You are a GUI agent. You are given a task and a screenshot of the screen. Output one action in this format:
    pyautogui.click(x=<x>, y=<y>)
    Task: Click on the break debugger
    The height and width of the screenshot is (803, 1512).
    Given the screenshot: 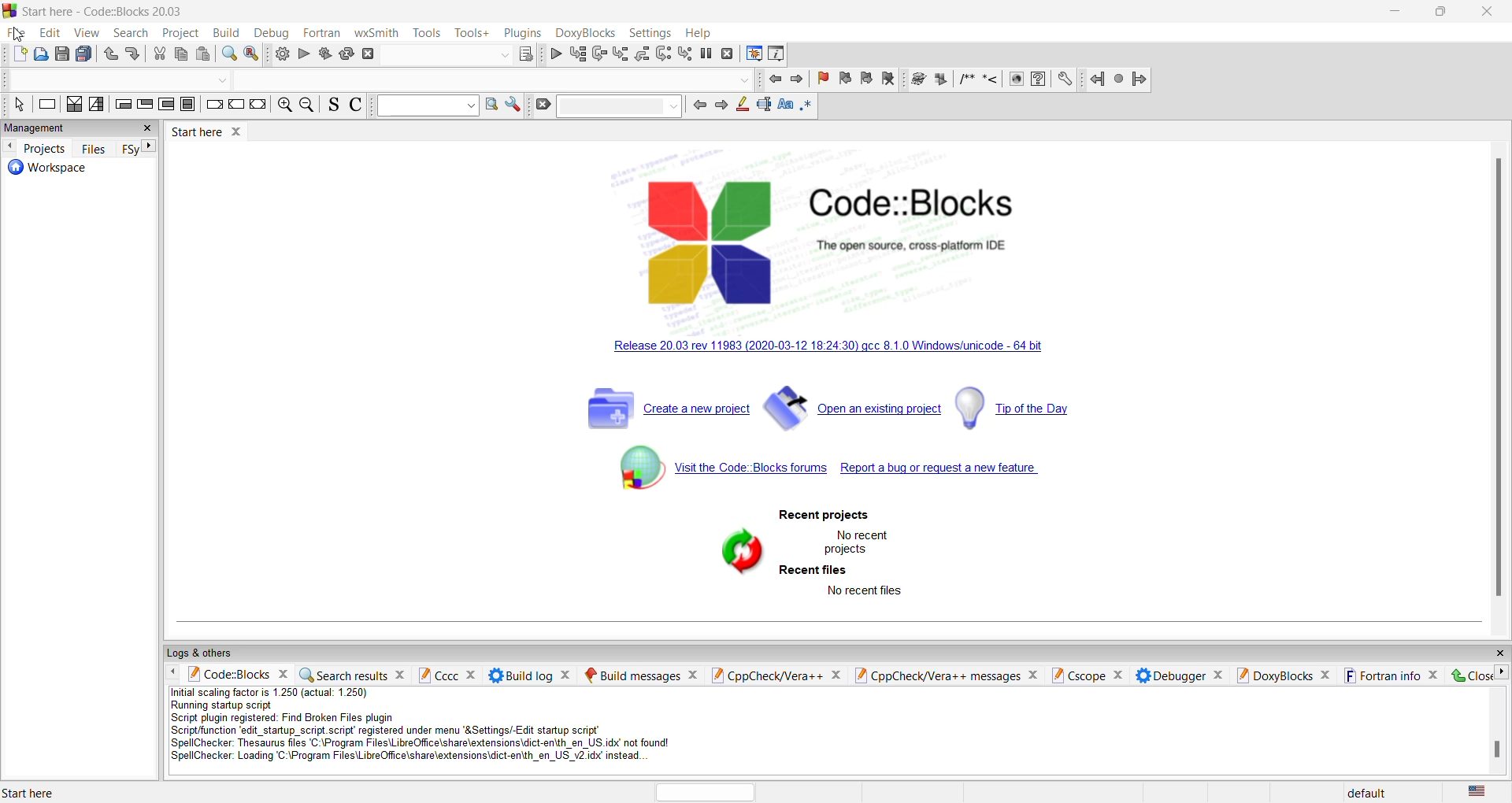 What is the action you would take?
    pyautogui.click(x=707, y=53)
    